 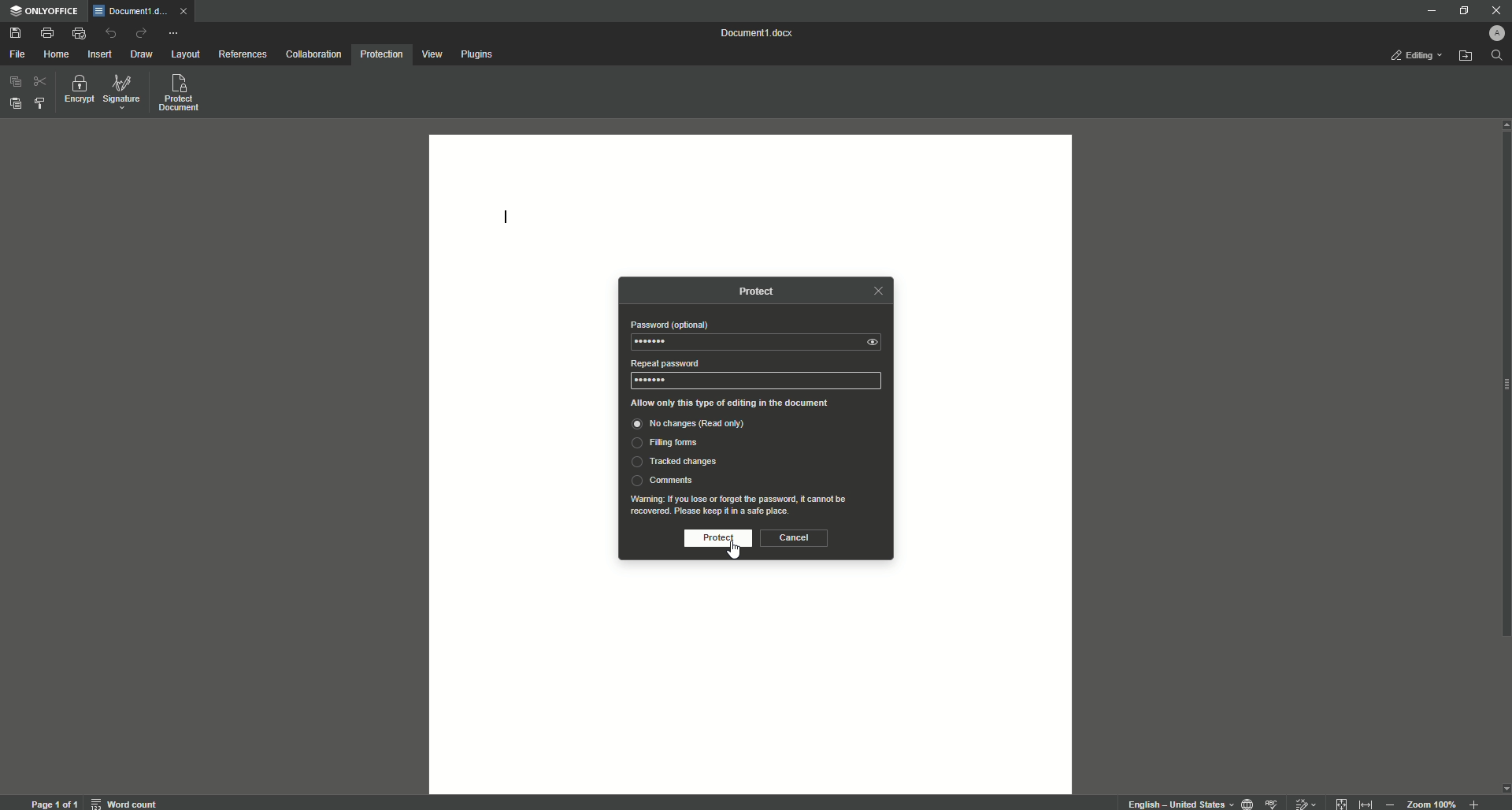 What do you see at coordinates (181, 94) in the screenshot?
I see `Protect document` at bounding box center [181, 94].